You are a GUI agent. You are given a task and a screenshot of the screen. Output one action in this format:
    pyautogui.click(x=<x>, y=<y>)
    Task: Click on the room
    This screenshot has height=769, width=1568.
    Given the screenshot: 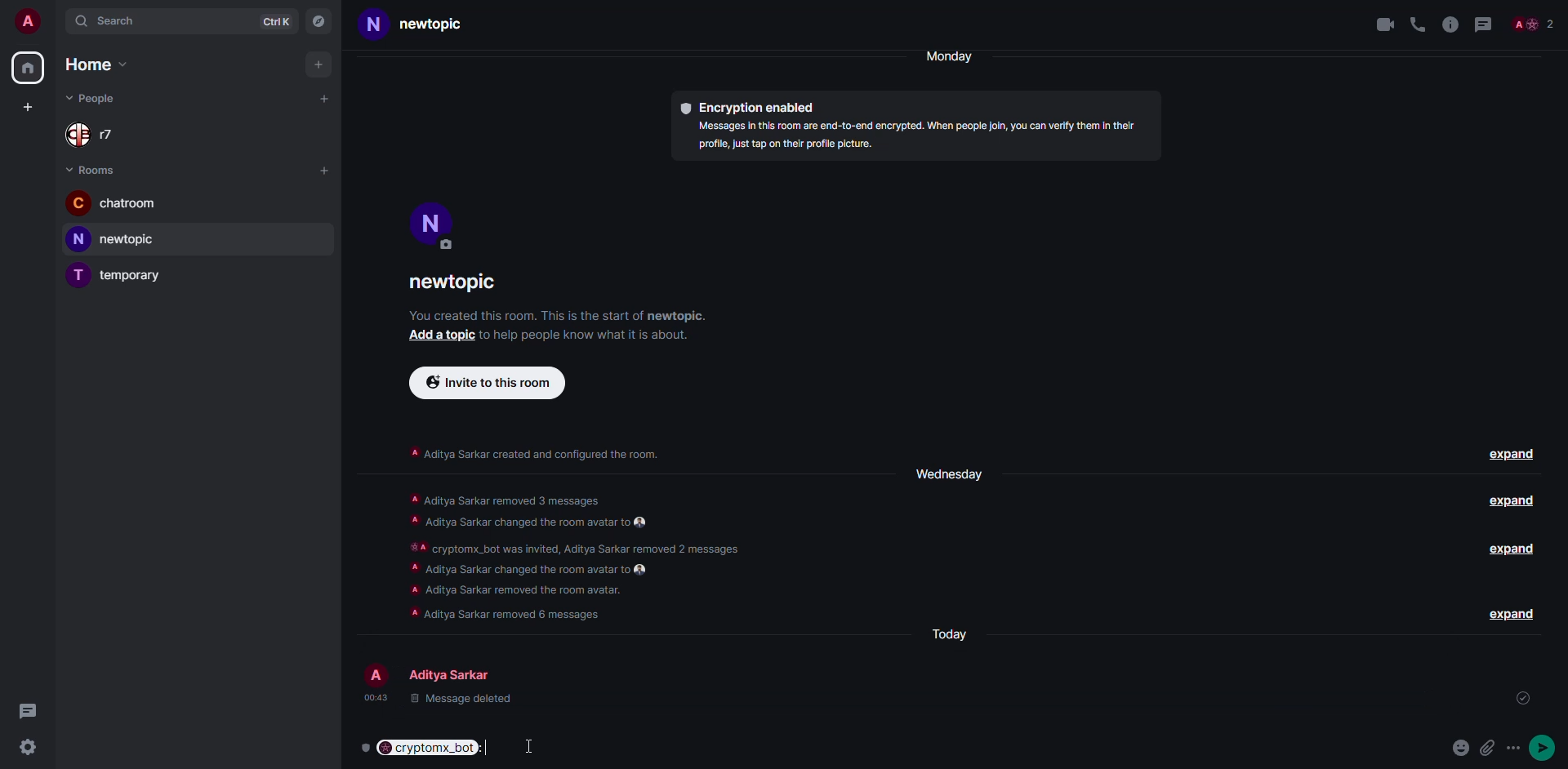 What is the action you would take?
    pyautogui.click(x=118, y=239)
    